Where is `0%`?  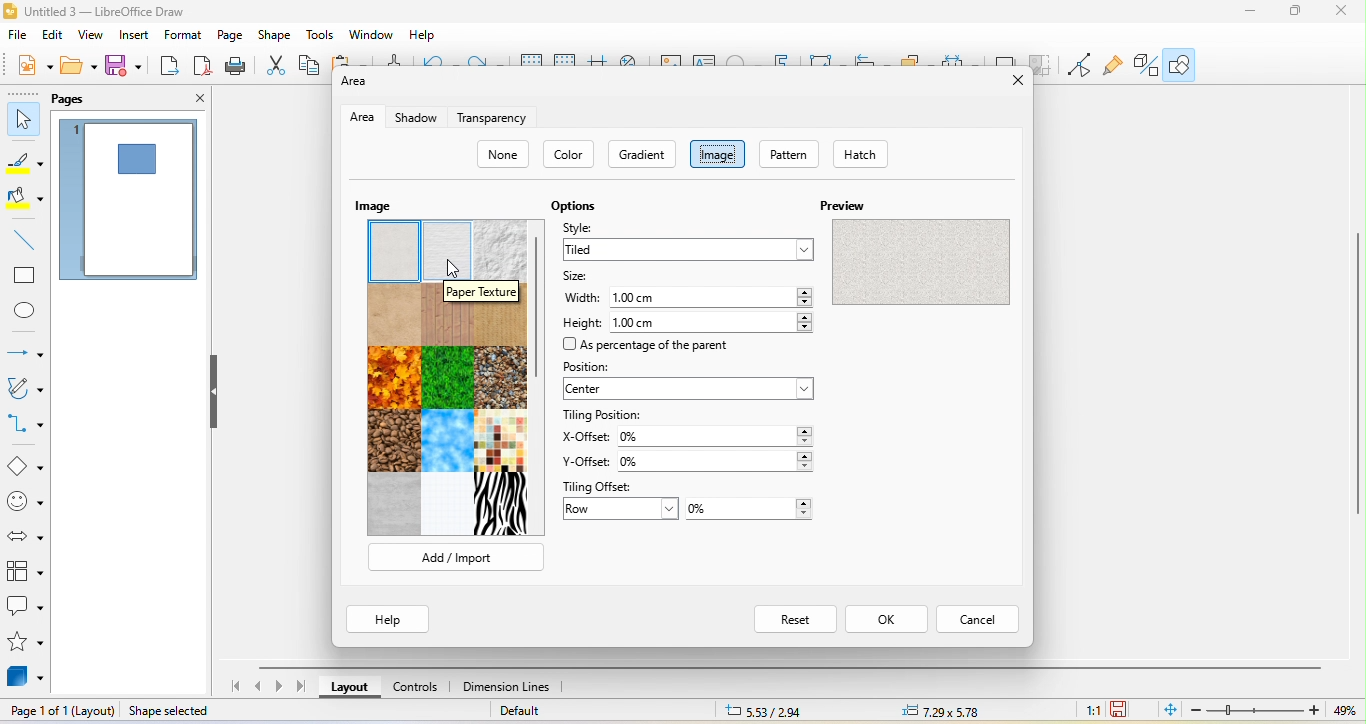 0% is located at coordinates (718, 439).